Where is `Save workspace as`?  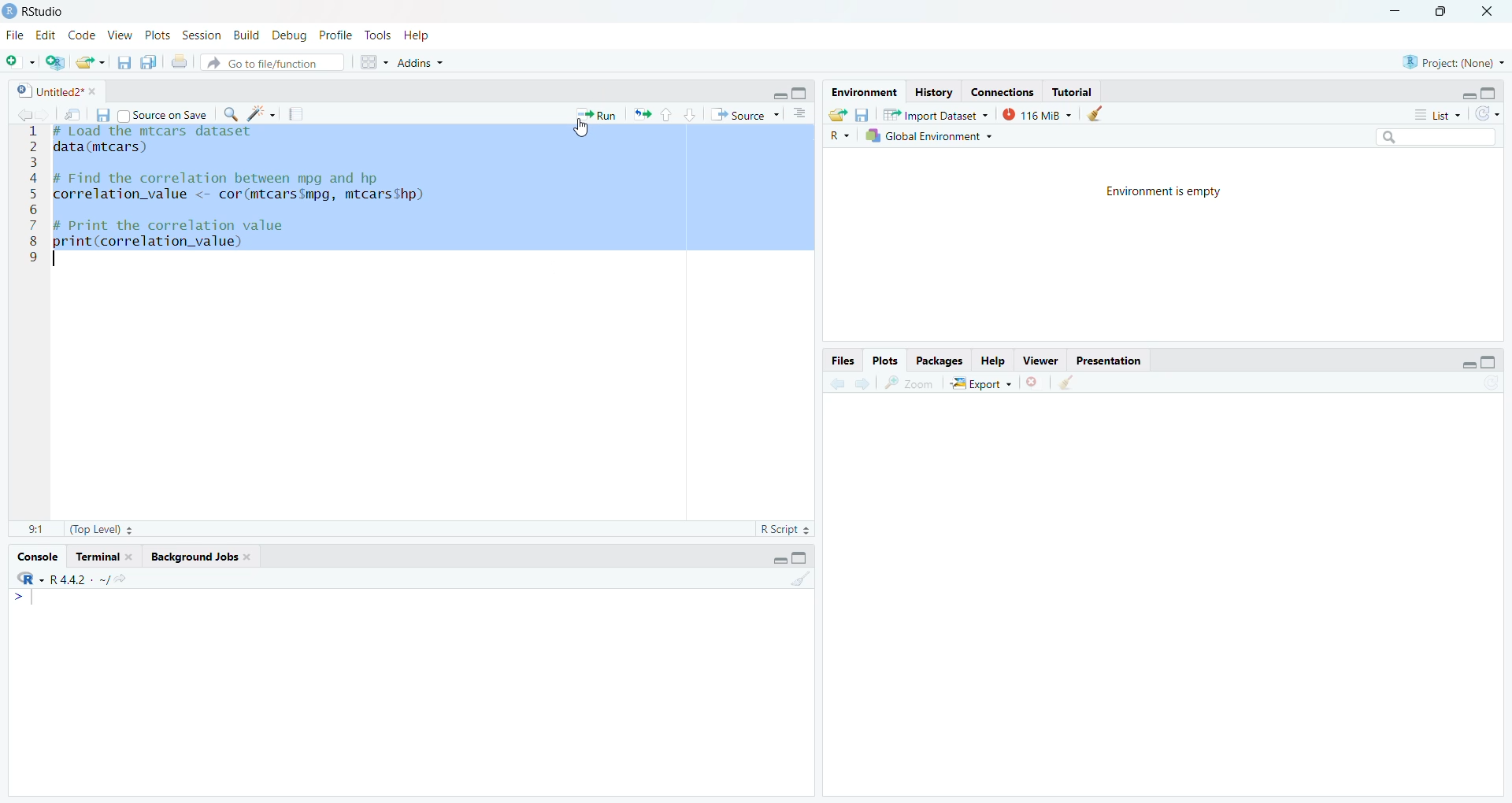
Save workspace as is located at coordinates (862, 113).